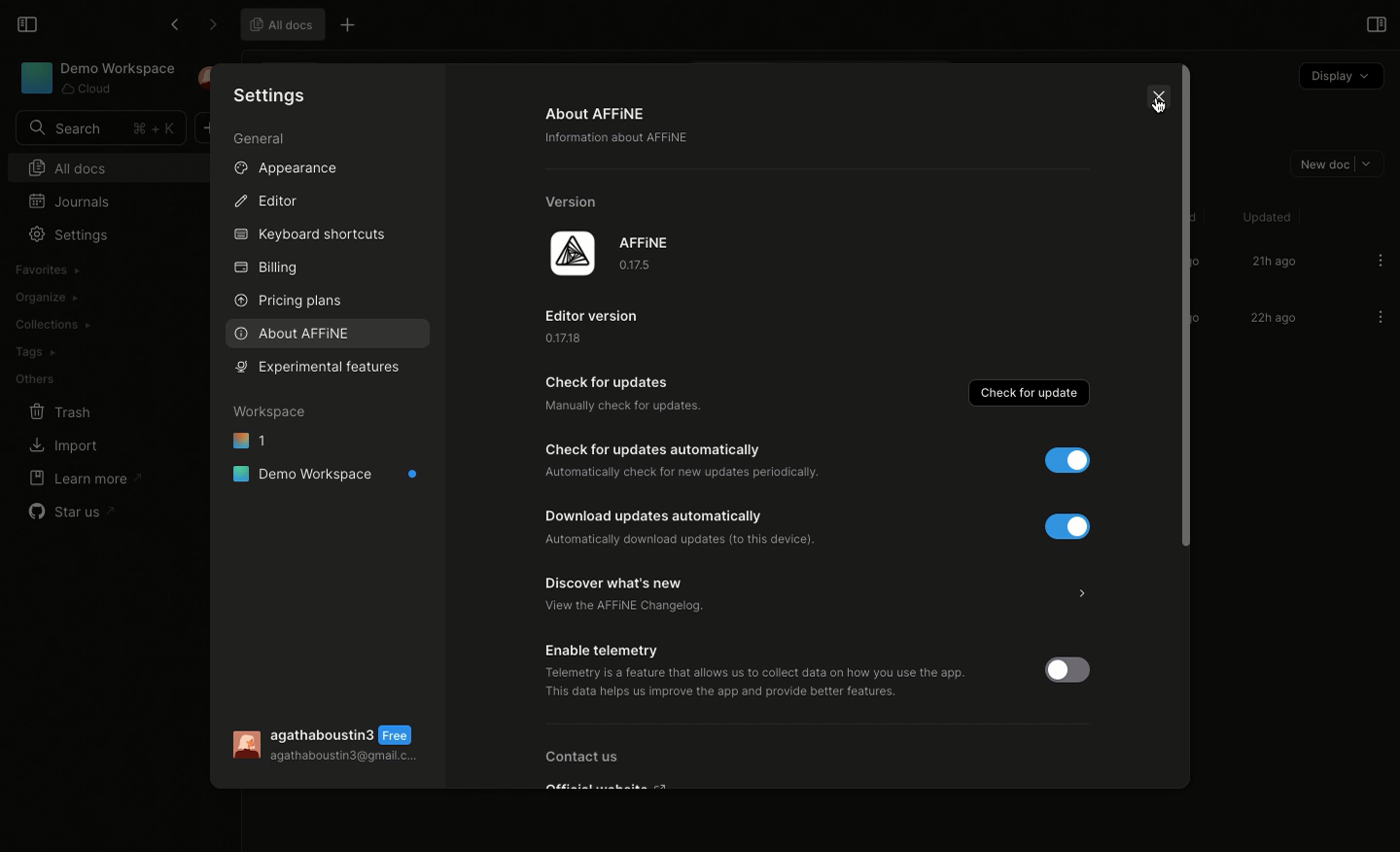 This screenshot has height=852, width=1400. I want to click on Keyboard shortcuts, so click(311, 236).